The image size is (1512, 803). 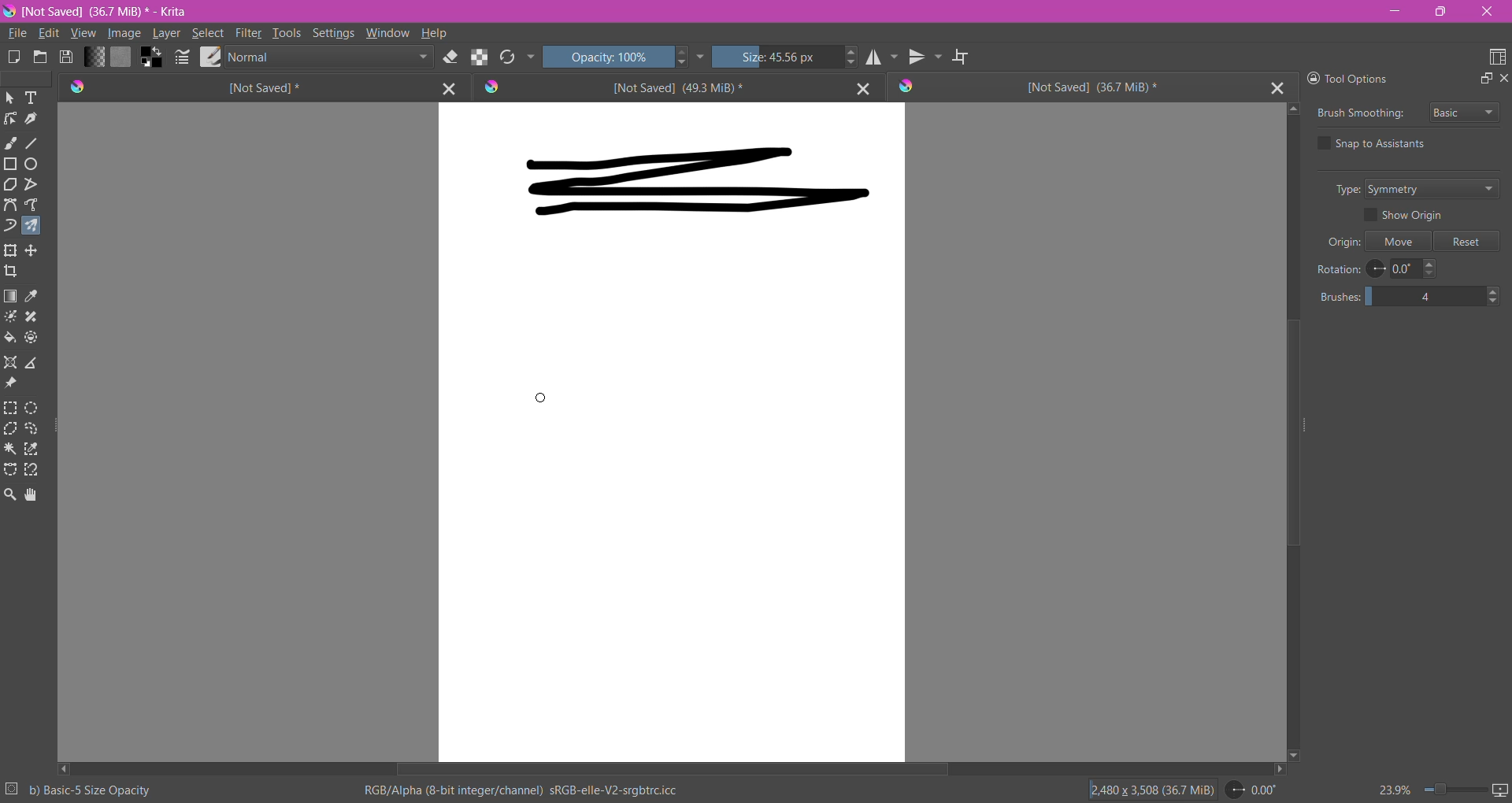 I want to click on Horizontal Scroll Bar, so click(x=671, y=770).